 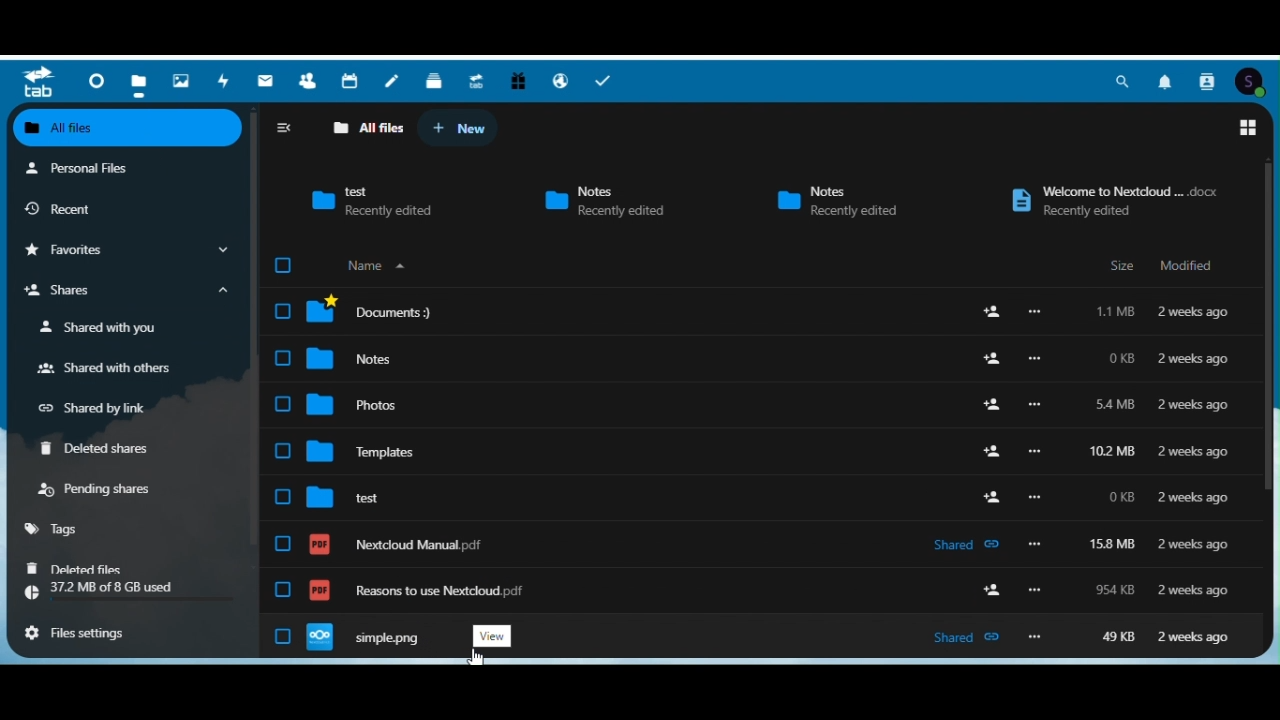 I want to click on documents:), so click(x=371, y=310).